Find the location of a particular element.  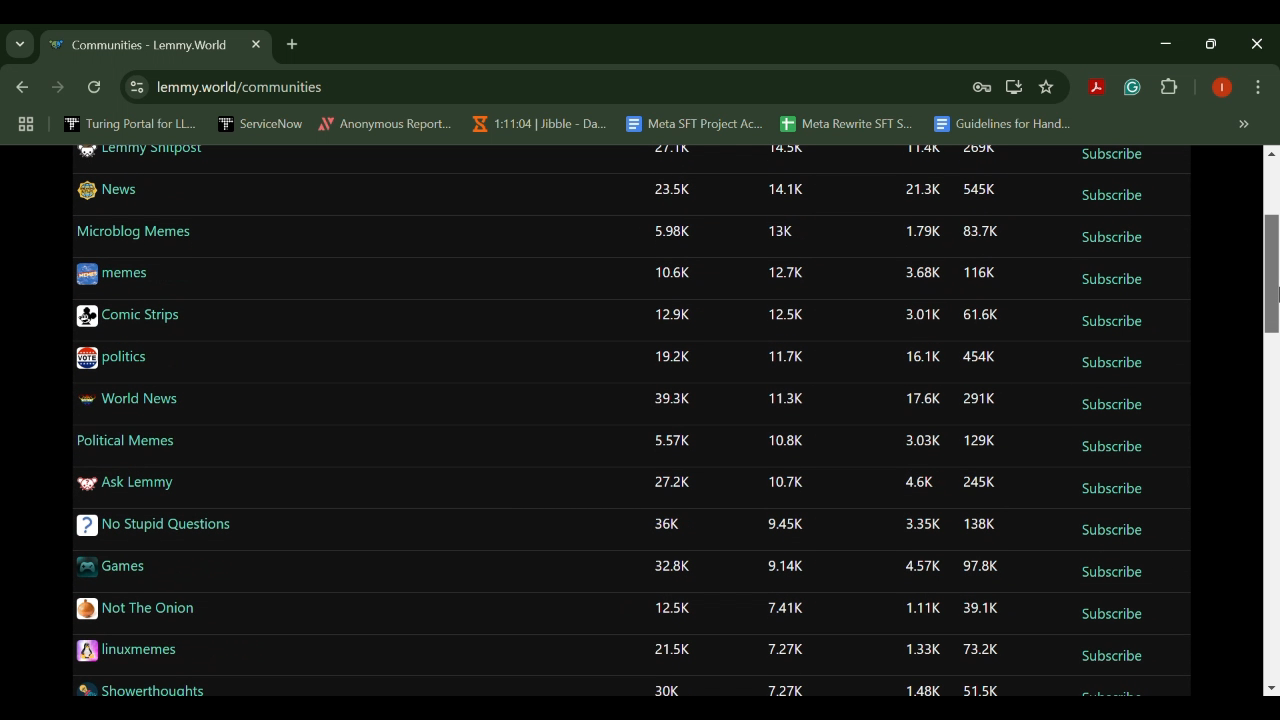

Subscribe is located at coordinates (1114, 656).